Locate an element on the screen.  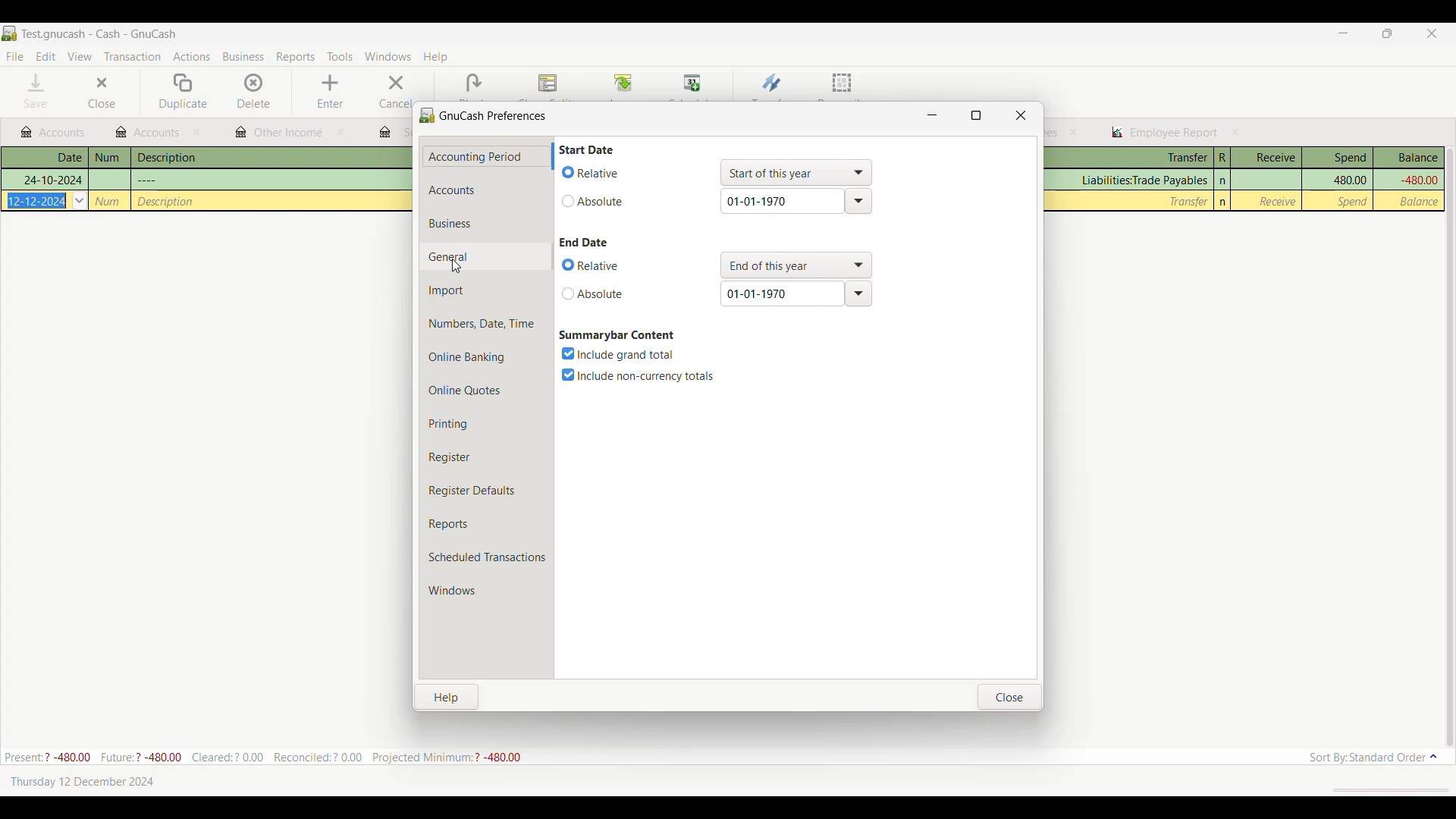
Current date is located at coordinates (82, 781).